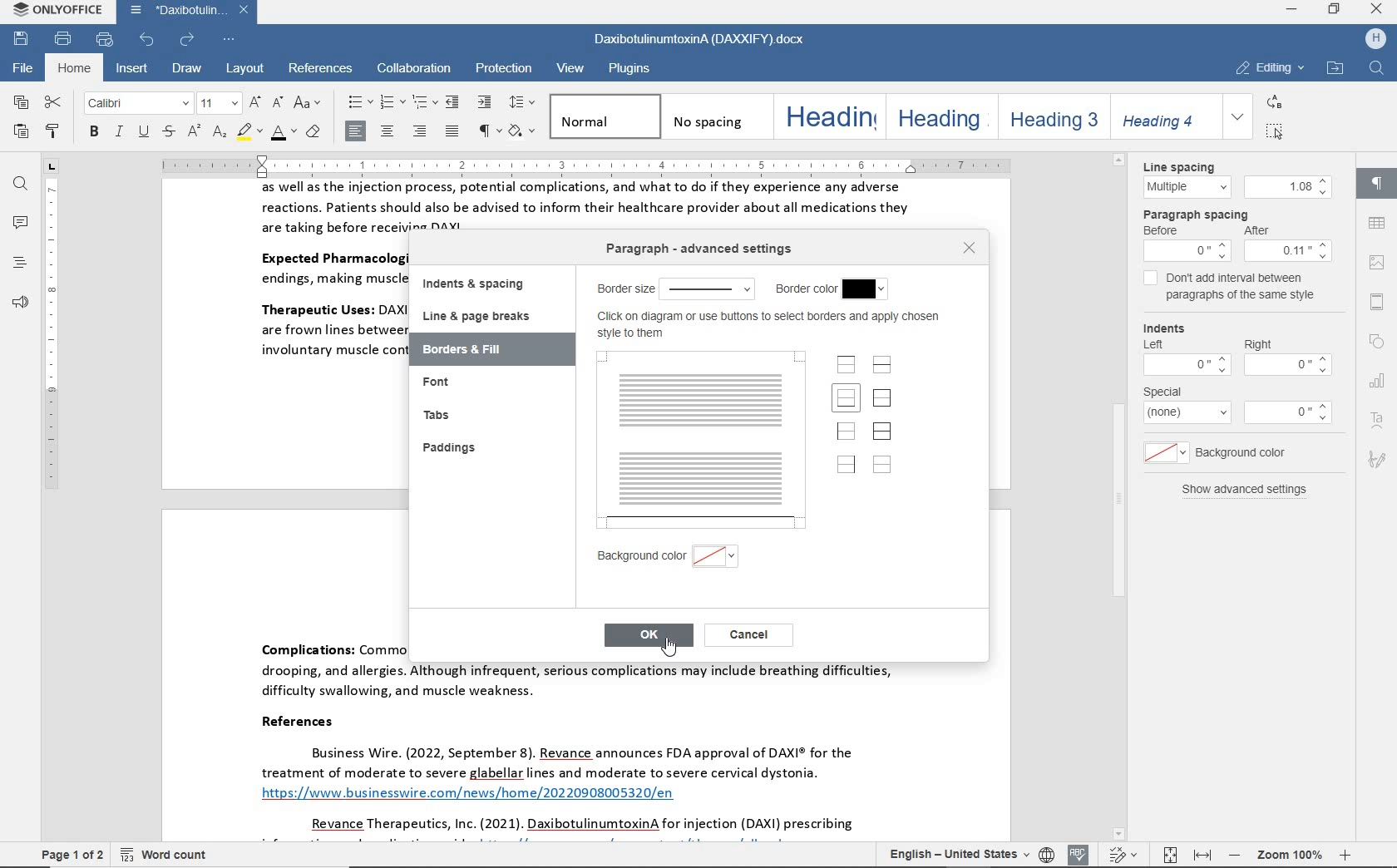 The width and height of the screenshot is (1397, 868). What do you see at coordinates (143, 133) in the screenshot?
I see `underline` at bounding box center [143, 133].